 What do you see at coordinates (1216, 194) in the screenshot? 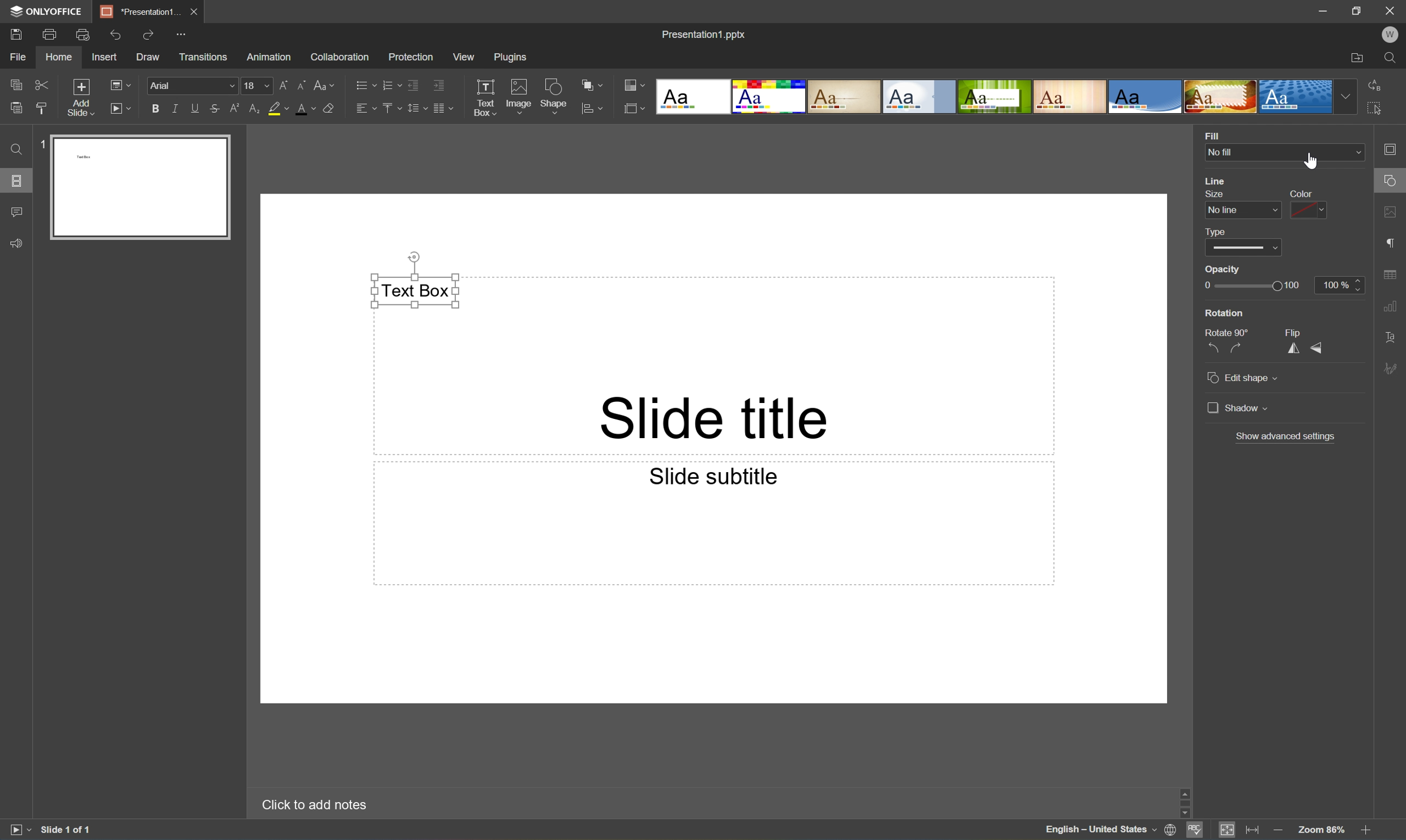
I see `Size` at bounding box center [1216, 194].